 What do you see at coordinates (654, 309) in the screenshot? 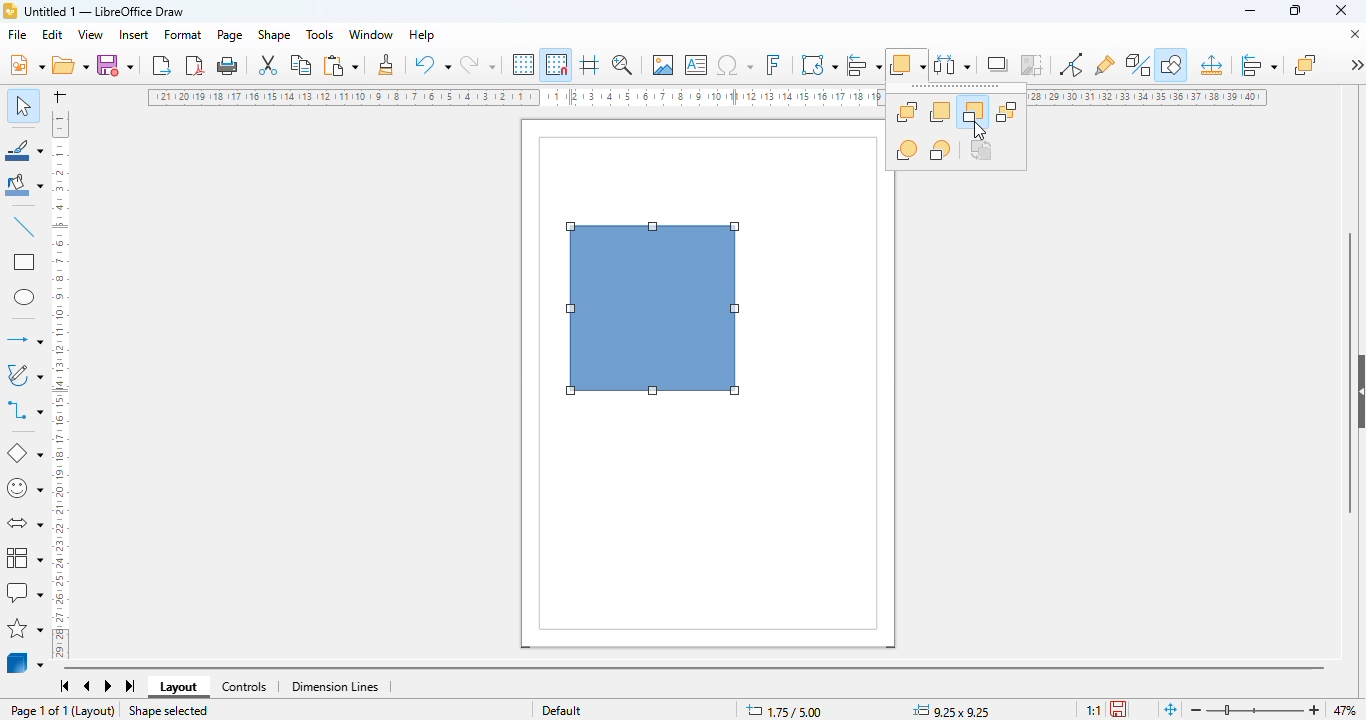
I see `object selected` at bounding box center [654, 309].